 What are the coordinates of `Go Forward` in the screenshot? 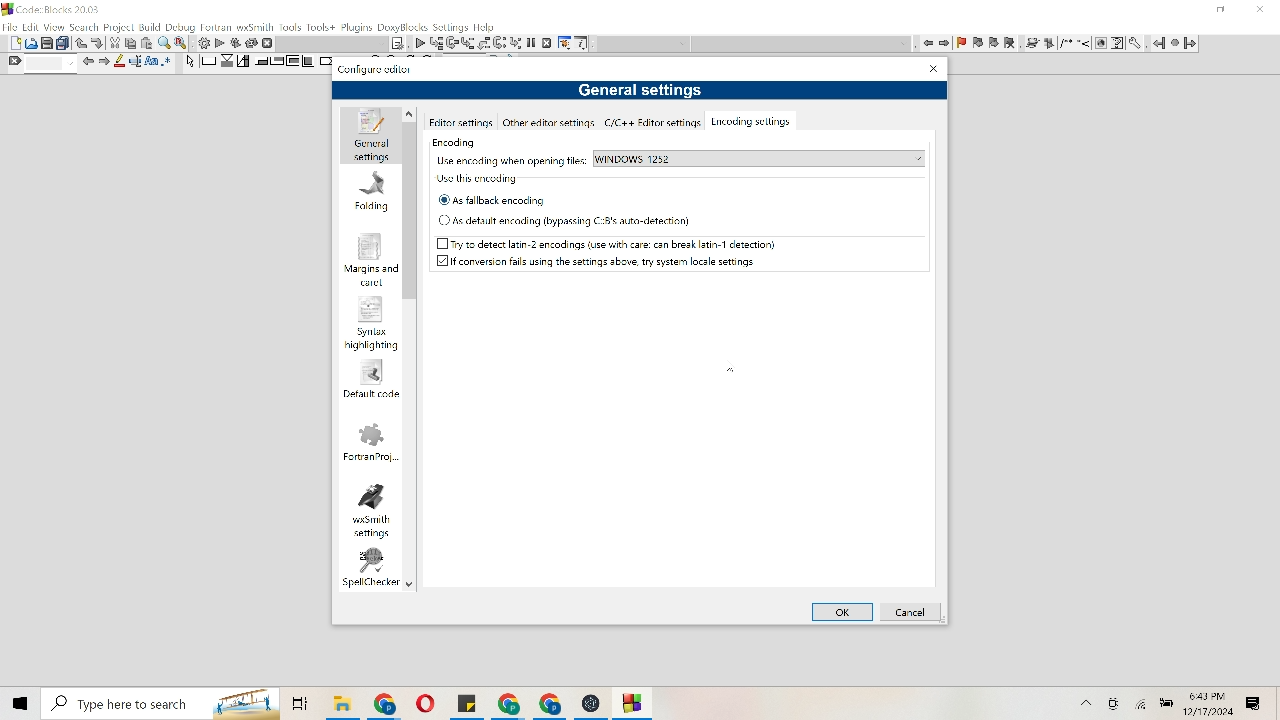 It's located at (1190, 43).